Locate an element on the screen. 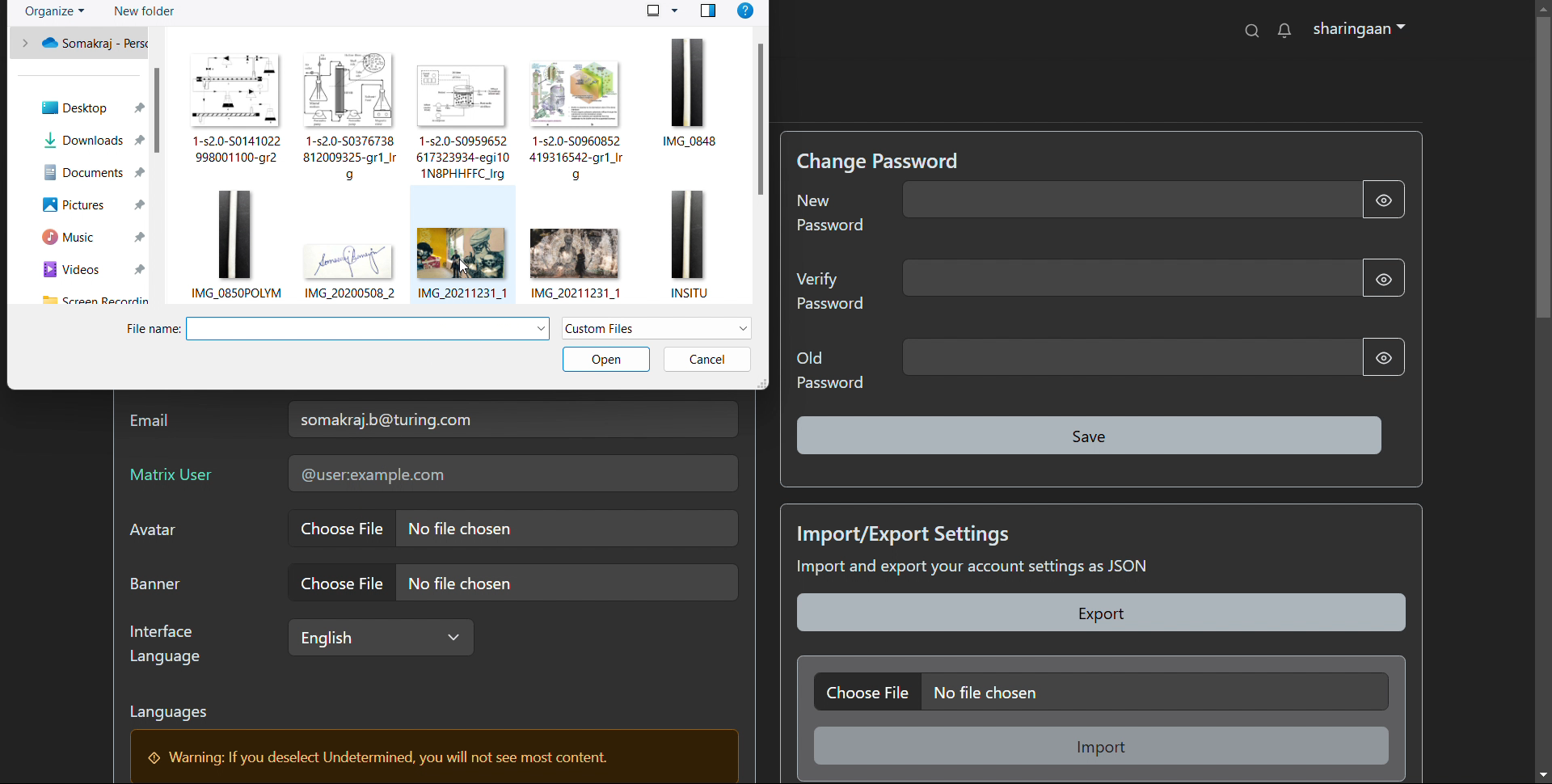 The width and height of the screenshot is (1552, 784). Email is located at coordinates (157, 424).